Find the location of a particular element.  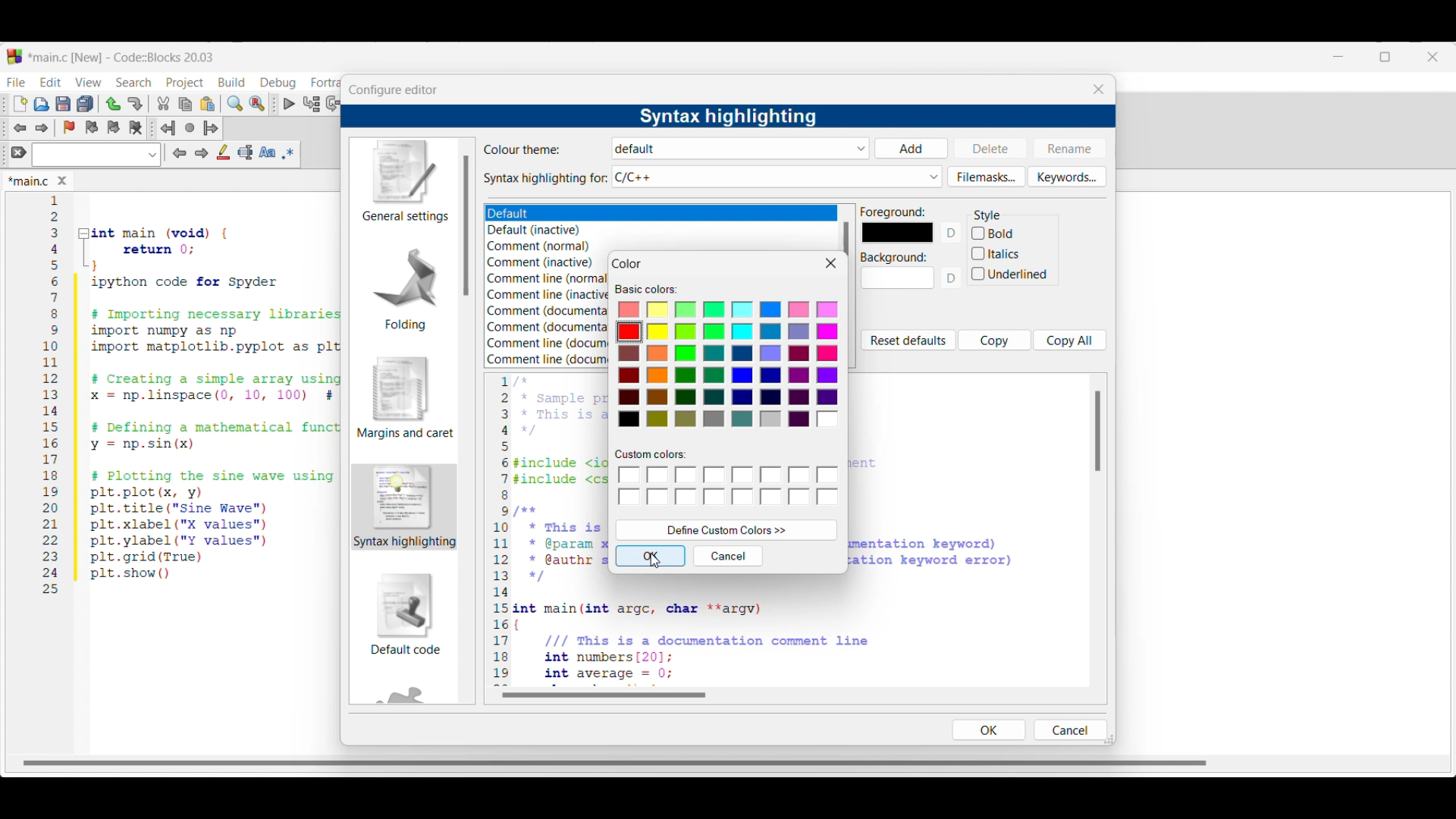

Change dimension is located at coordinates (1109, 739).